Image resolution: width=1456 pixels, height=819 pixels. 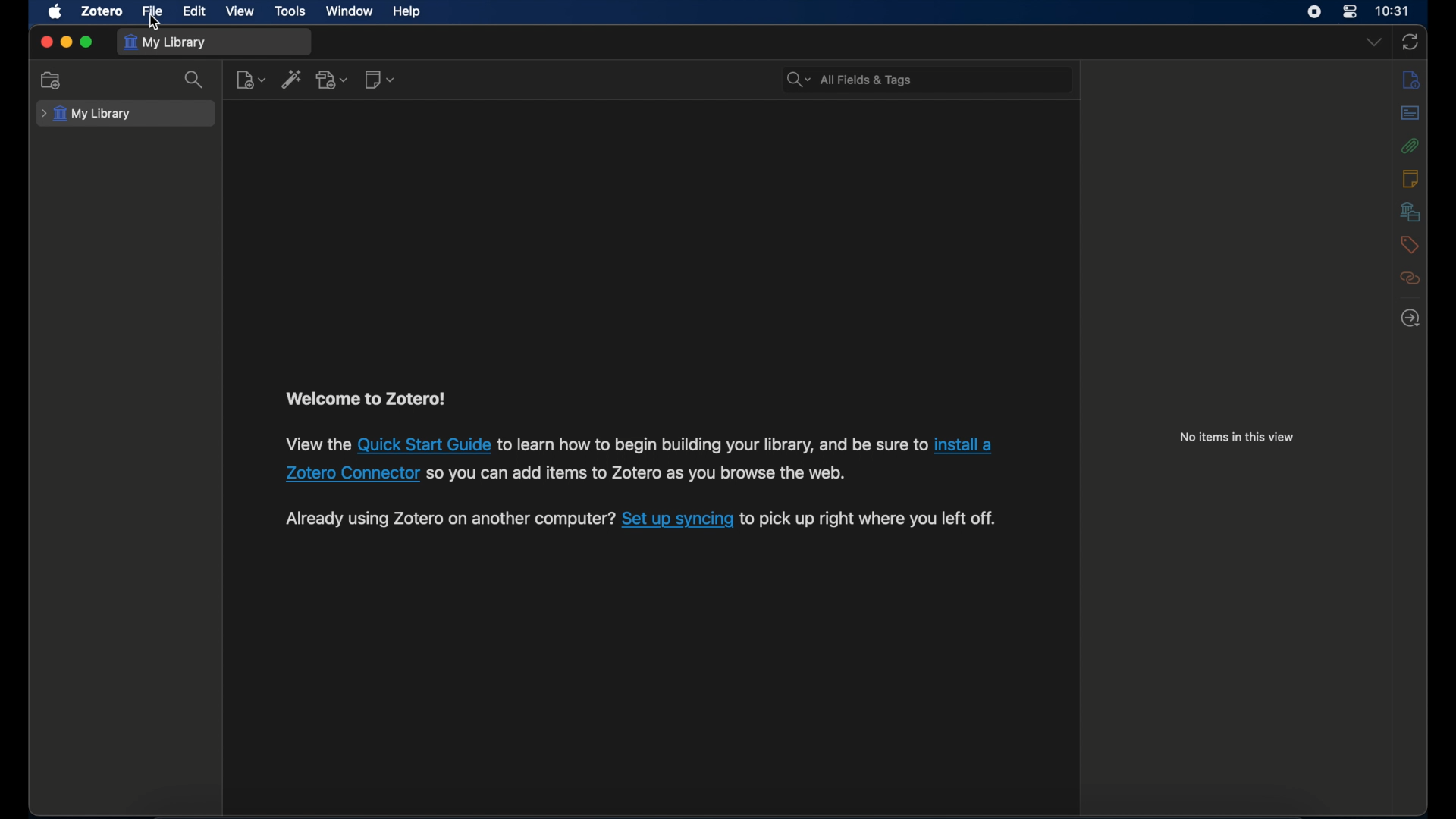 What do you see at coordinates (167, 43) in the screenshot?
I see `my library` at bounding box center [167, 43].